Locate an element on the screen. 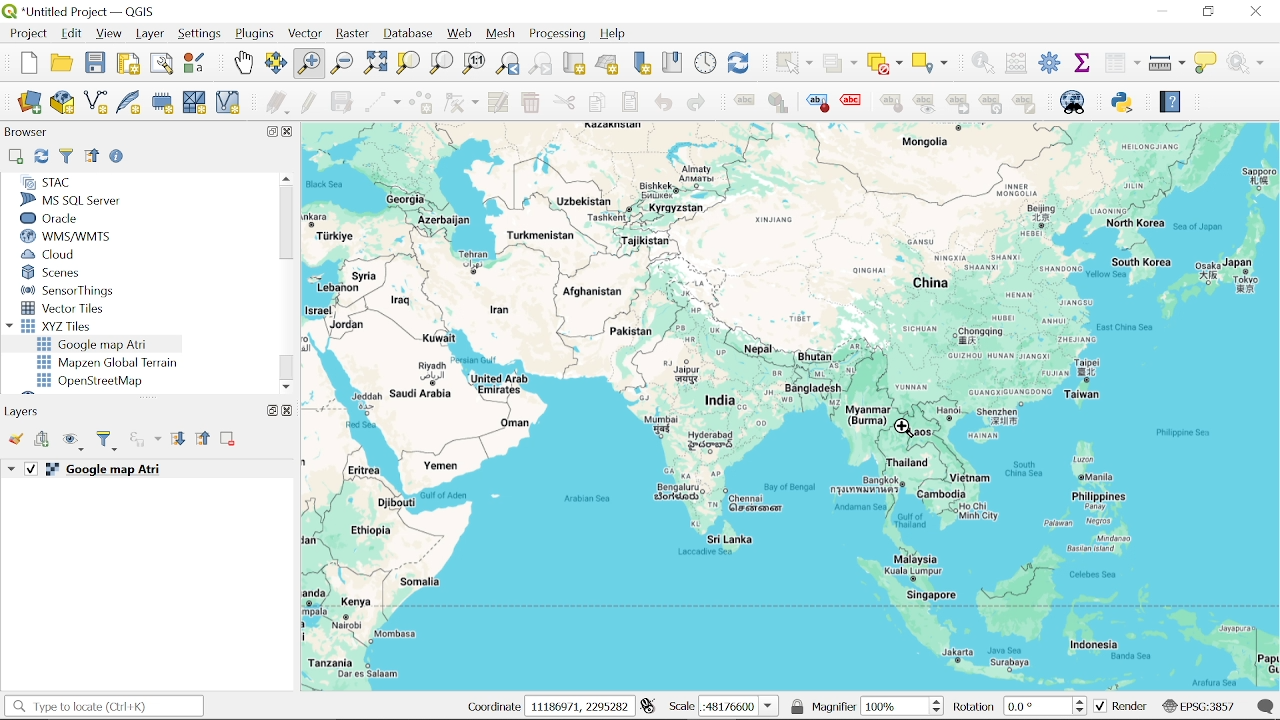 This screenshot has width=1280, height=720. New spatial lite layer is located at coordinates (129, 104).